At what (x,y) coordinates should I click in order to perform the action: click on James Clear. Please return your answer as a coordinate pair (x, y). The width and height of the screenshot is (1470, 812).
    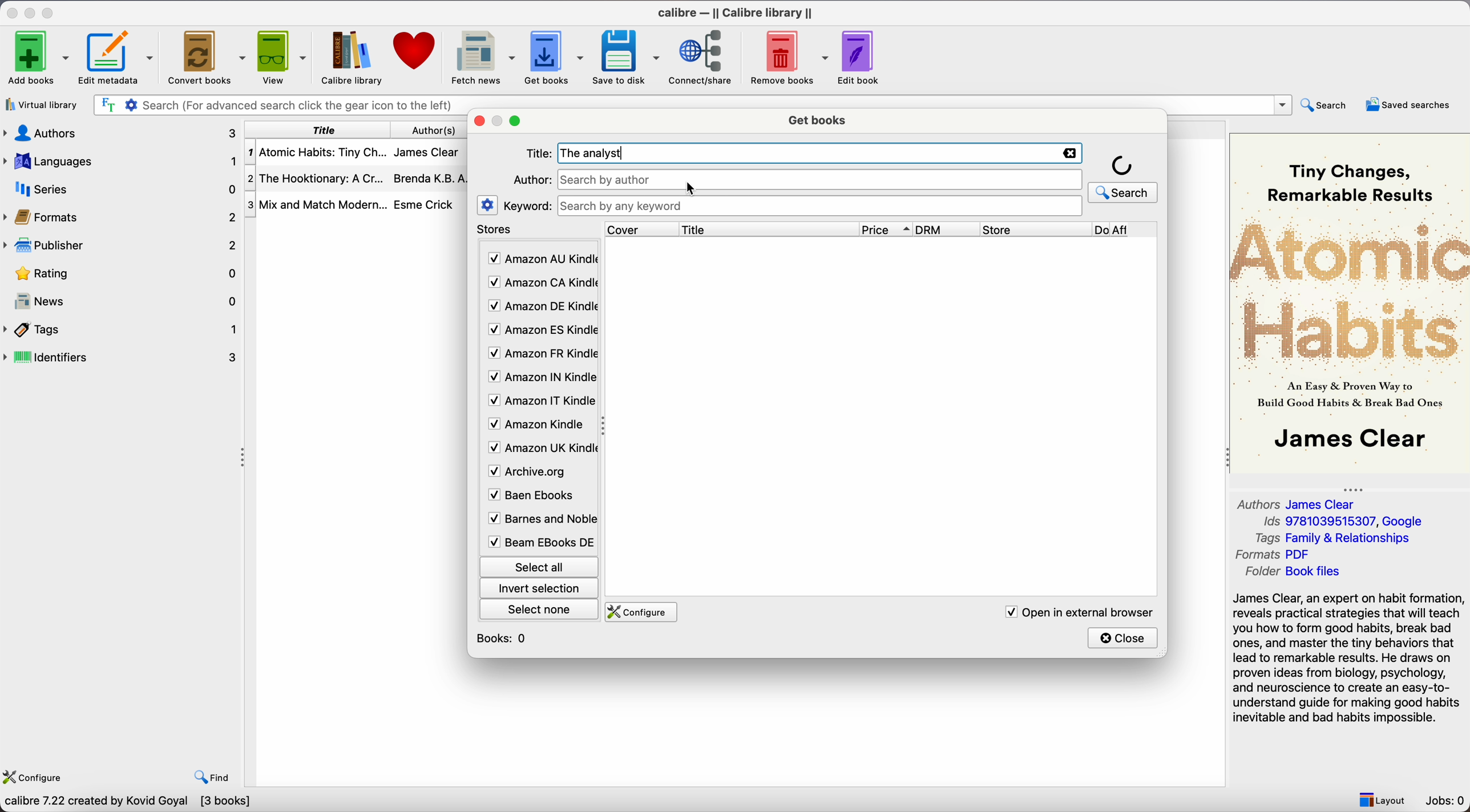
    Looking at the image, I should click on (430, 155).